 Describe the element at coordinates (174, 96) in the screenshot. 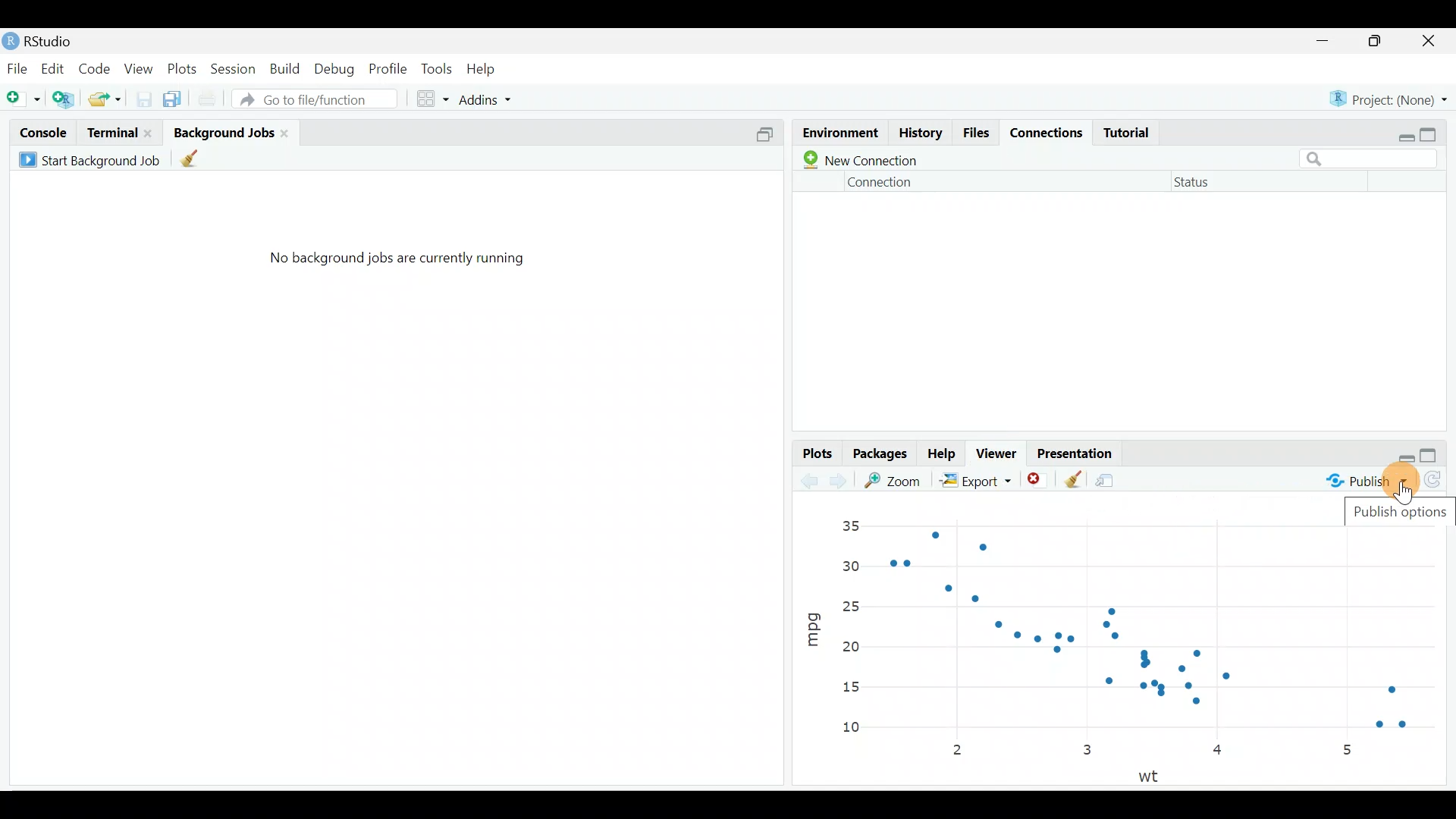

I see `Save all open documents` at that location.